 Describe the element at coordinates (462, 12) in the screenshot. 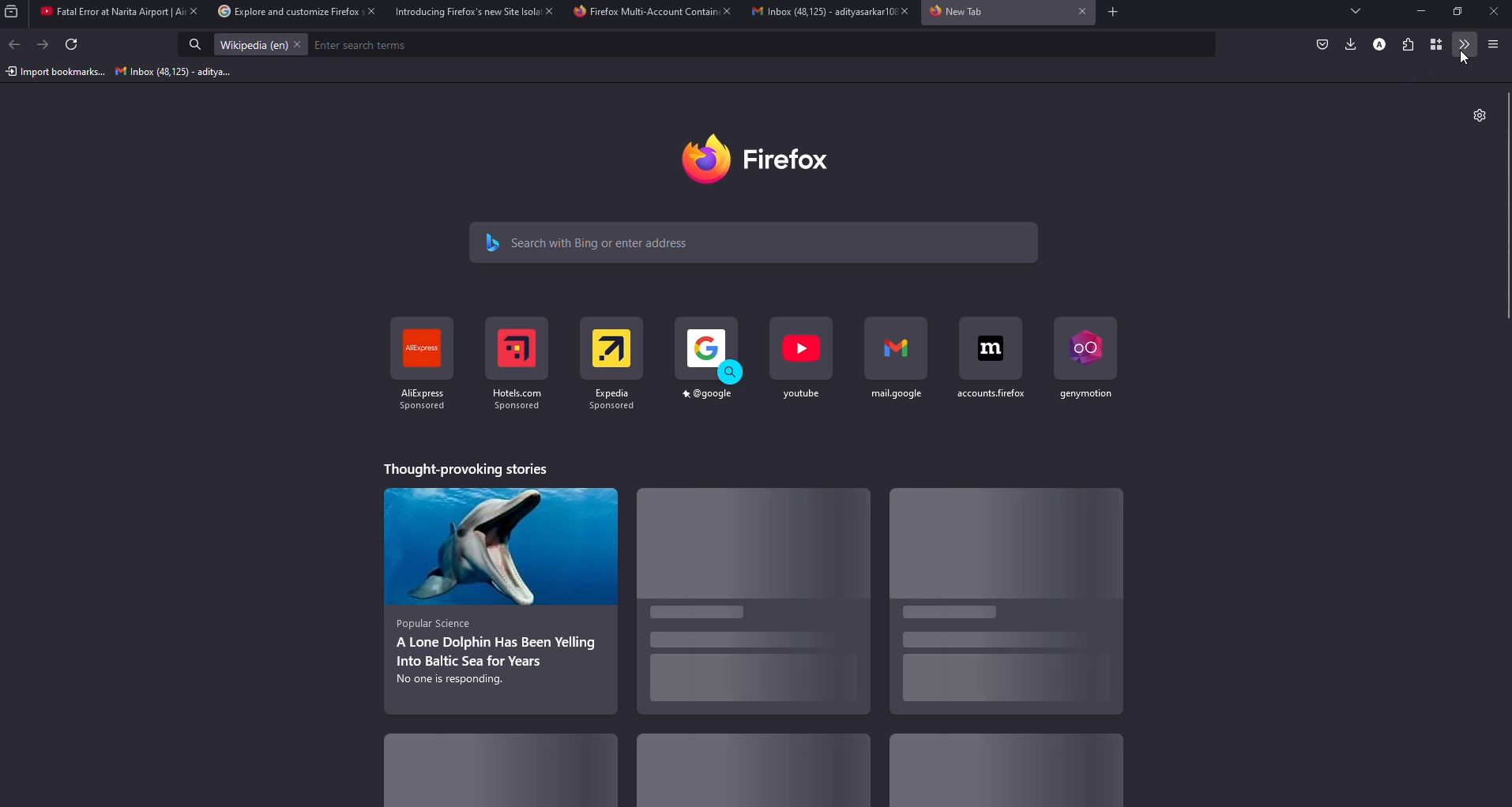

I see `tab` at that location.